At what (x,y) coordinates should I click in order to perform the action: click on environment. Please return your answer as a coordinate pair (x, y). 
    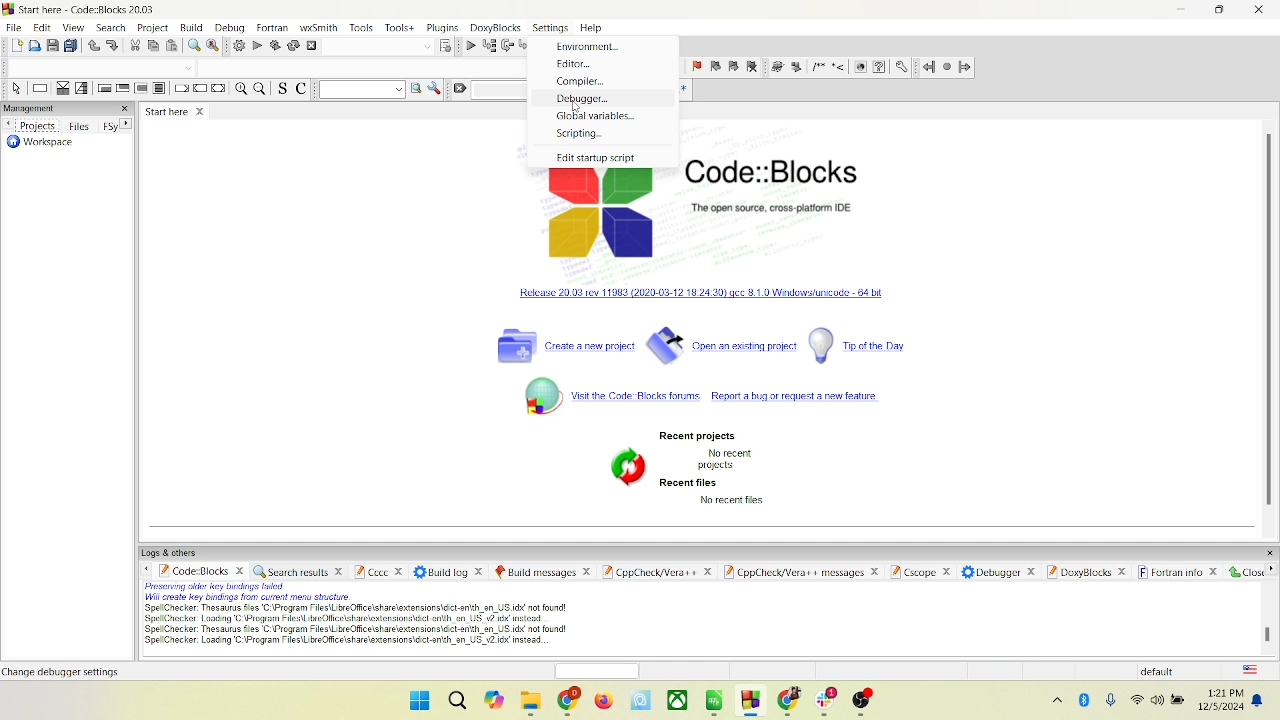
    Looking at the image, I should click on (588, 47).